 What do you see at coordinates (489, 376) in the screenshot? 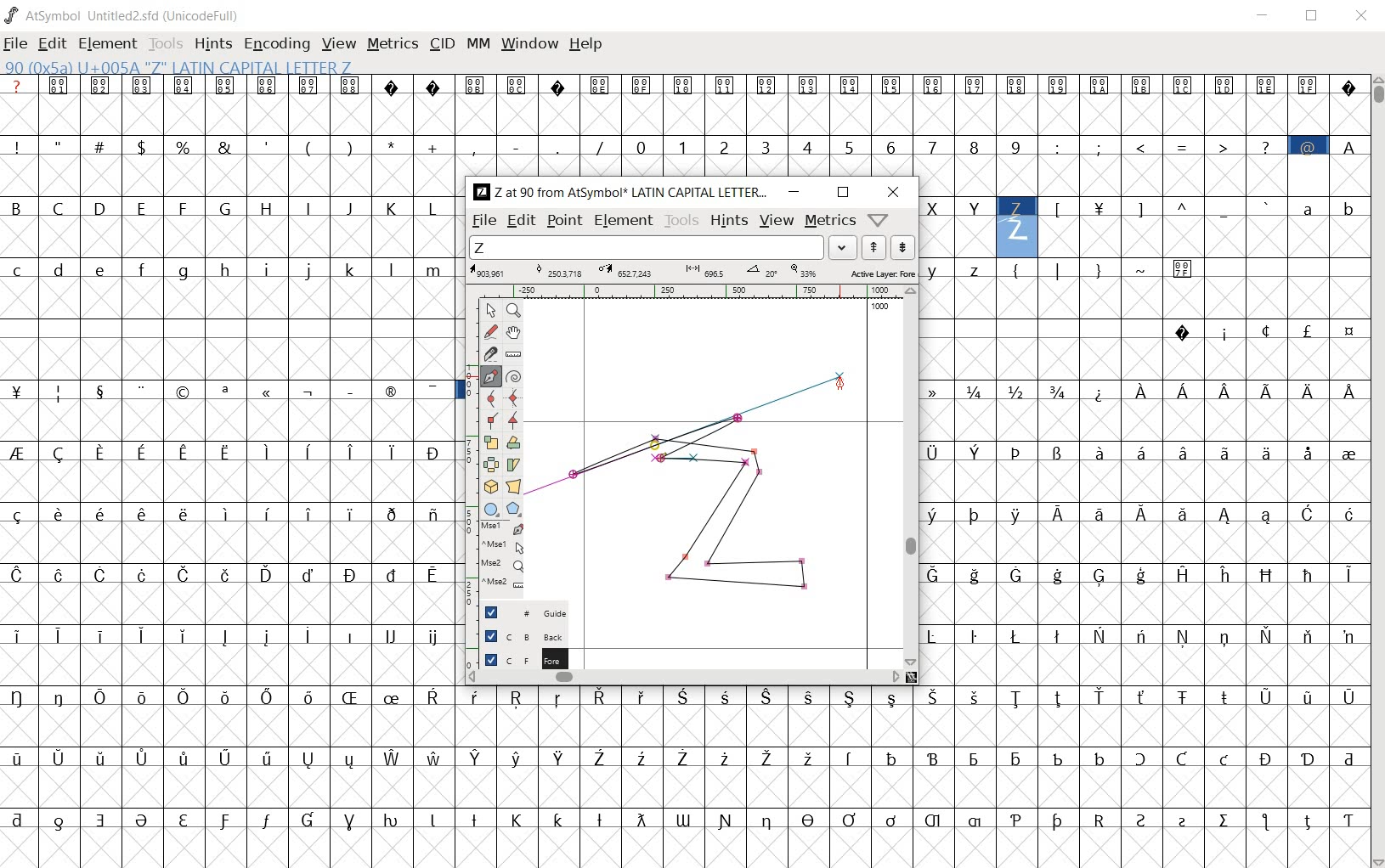
I see `add a point, then drag out its control points` at bounding box center [489, 376].